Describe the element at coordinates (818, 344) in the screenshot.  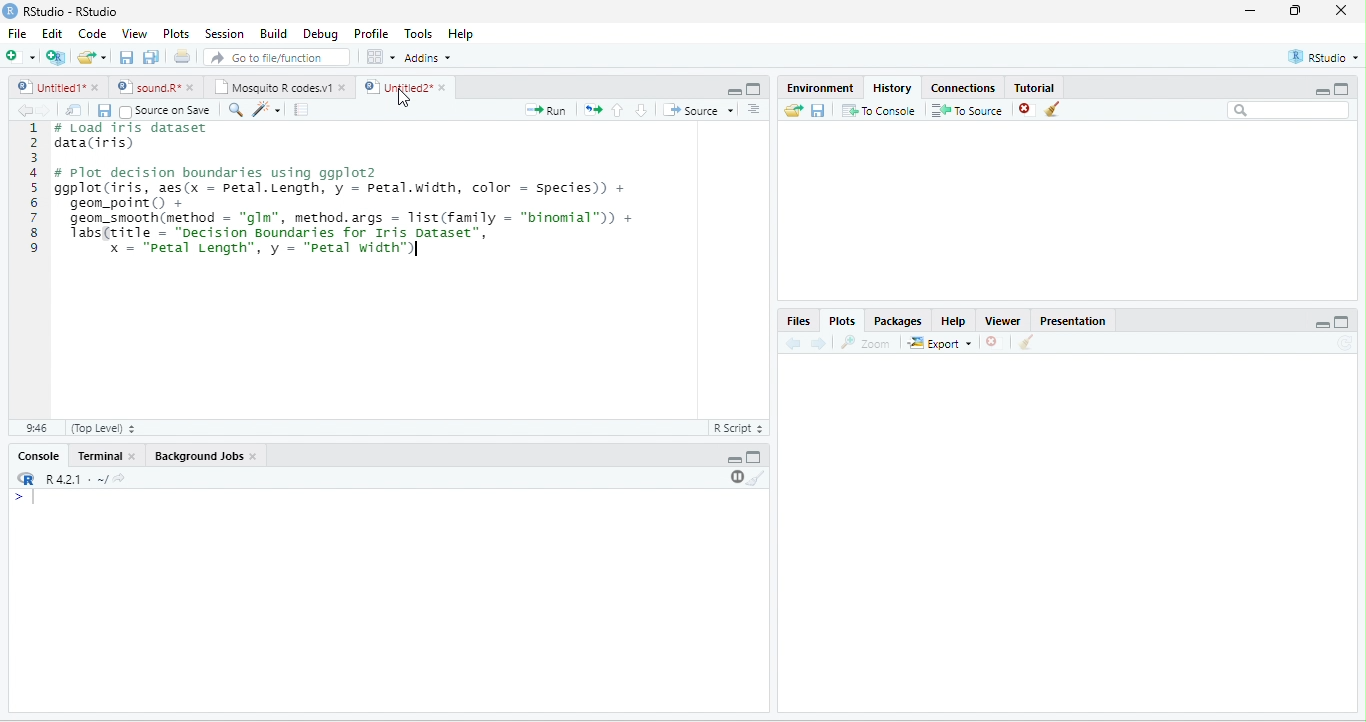
I see `forward` at that location.